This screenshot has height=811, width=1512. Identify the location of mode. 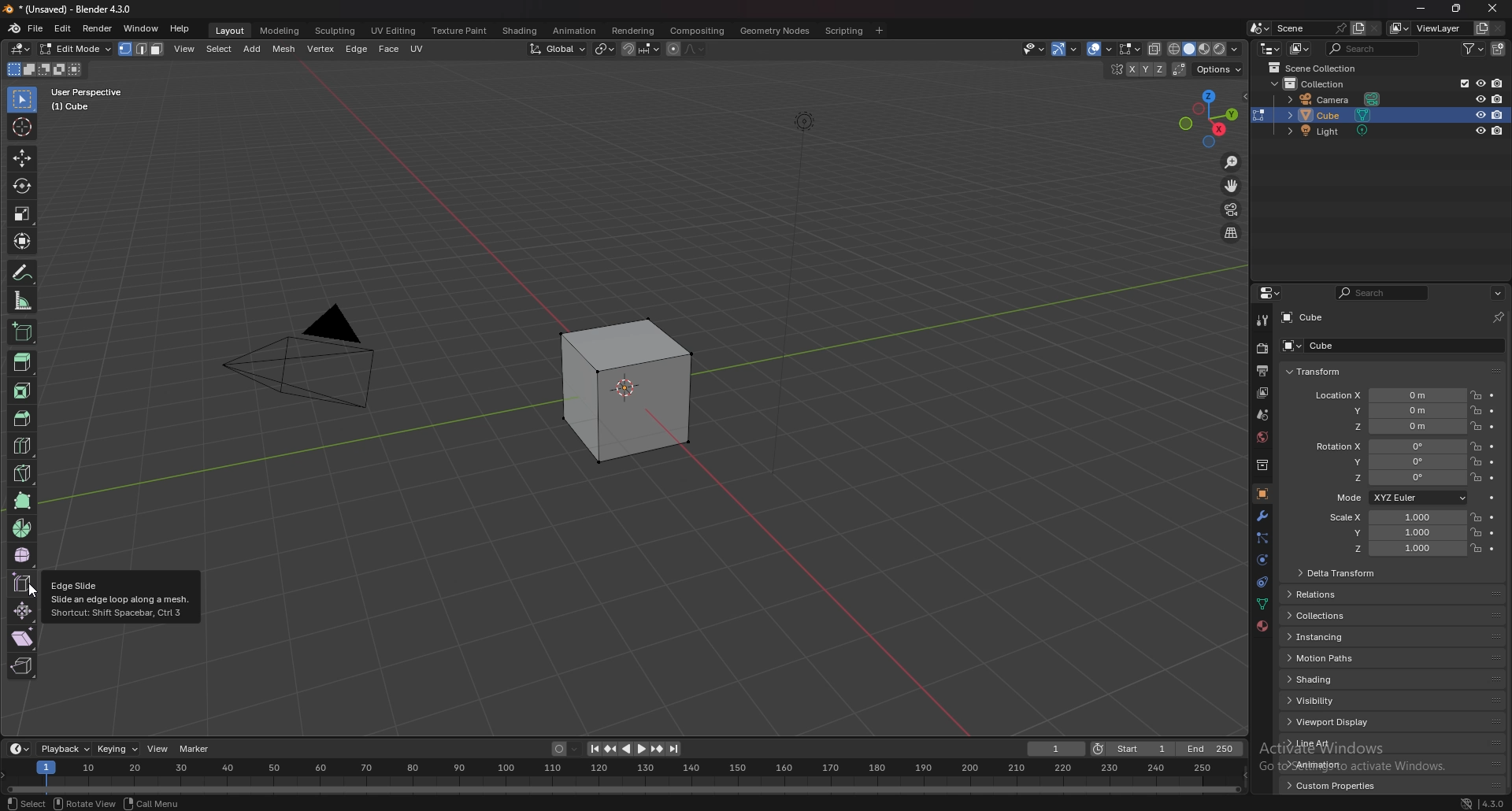
(44, 69).